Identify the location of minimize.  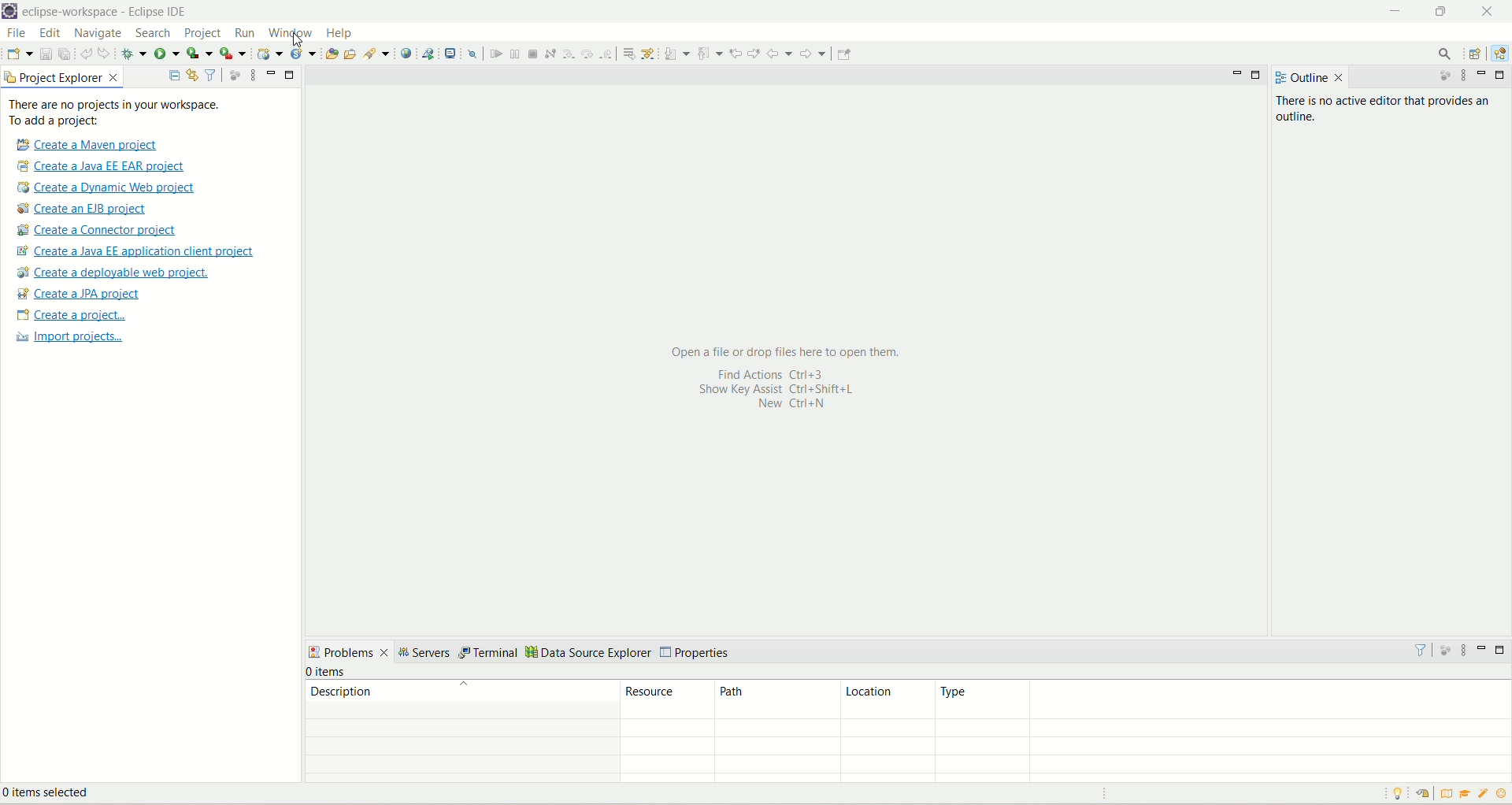
(1484, 647).